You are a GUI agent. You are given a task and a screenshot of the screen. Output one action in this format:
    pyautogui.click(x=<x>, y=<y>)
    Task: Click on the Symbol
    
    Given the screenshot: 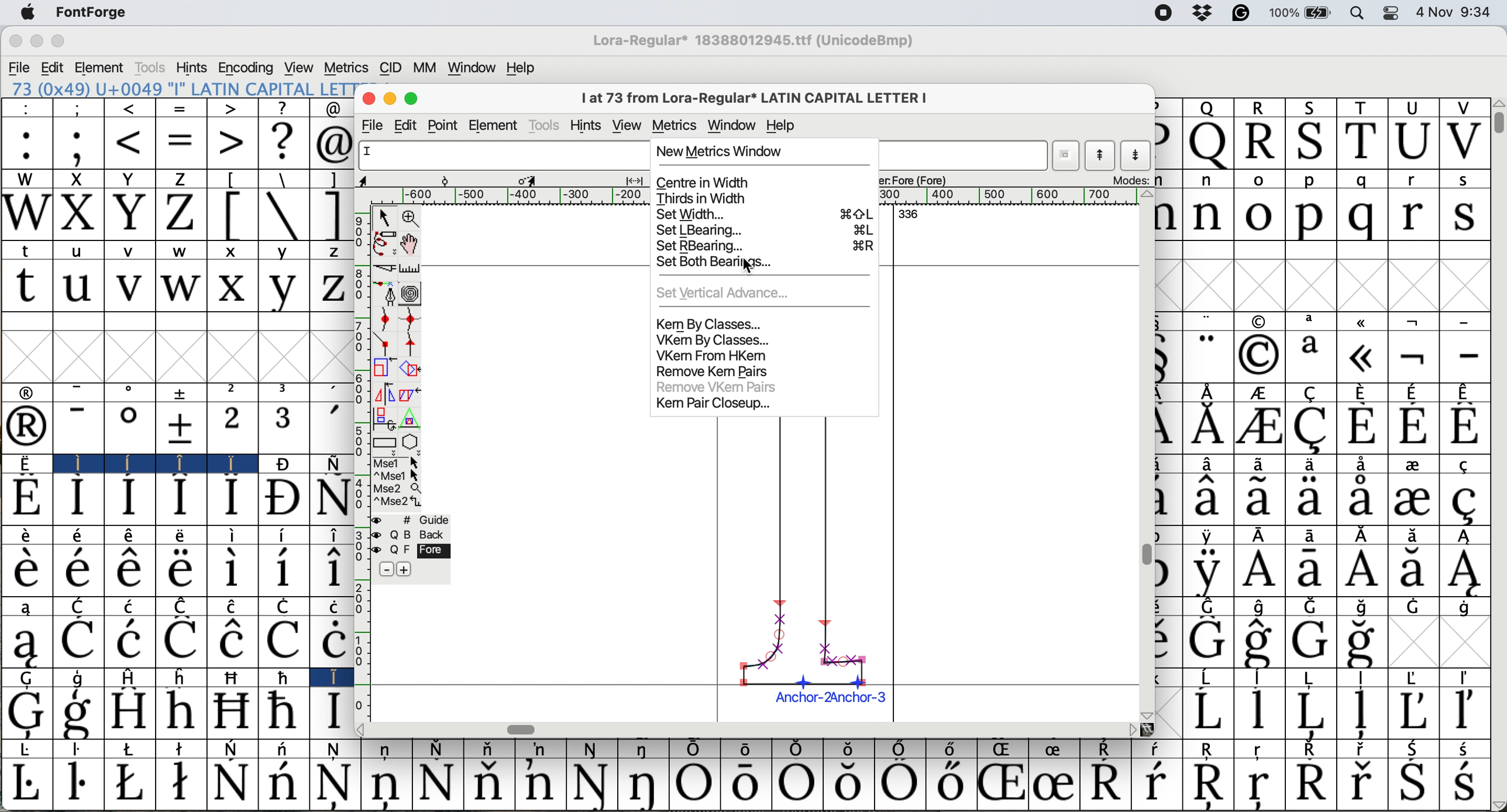 What is the action you would take?
    pyautogui.click(x=949, y=785)
    